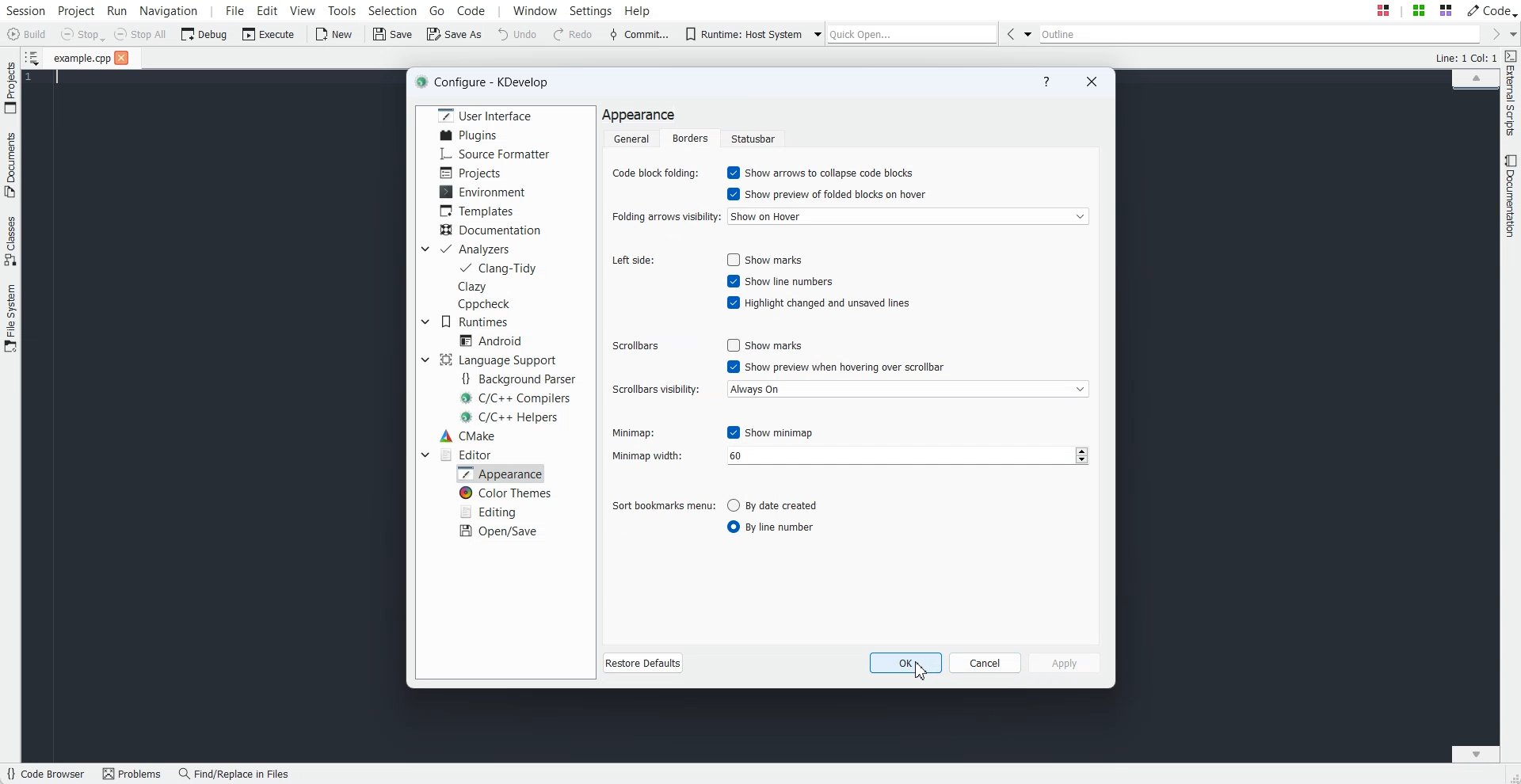 Image resolution: width=1521 pixels, height=784 pixels. What do you see at coordinates (122, 57) in the screenshot?
I see `Close` at bounding box center [122, 57].